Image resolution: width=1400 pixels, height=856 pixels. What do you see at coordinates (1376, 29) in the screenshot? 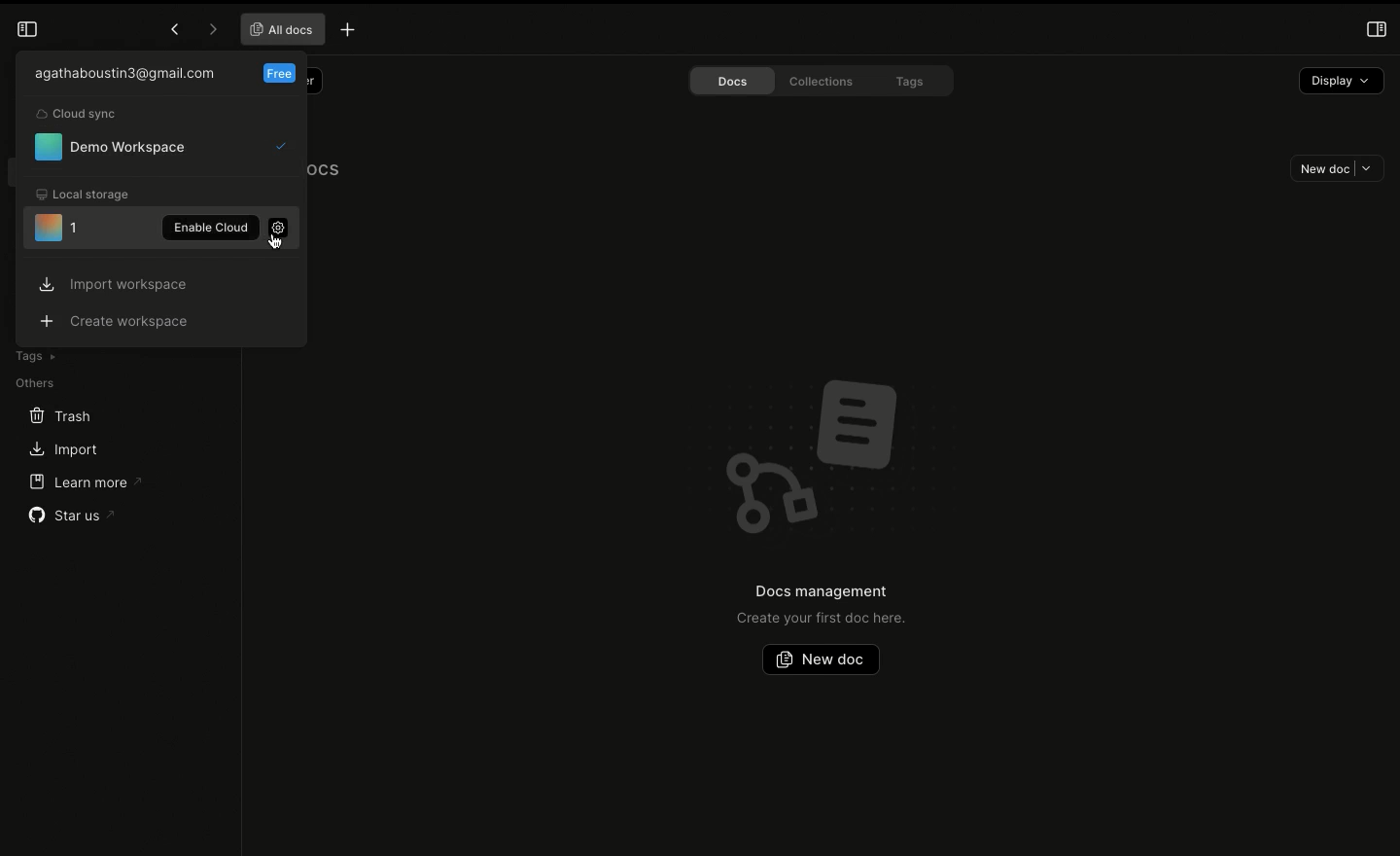
I see `Open right panel` at bounding box center [1376, 29].